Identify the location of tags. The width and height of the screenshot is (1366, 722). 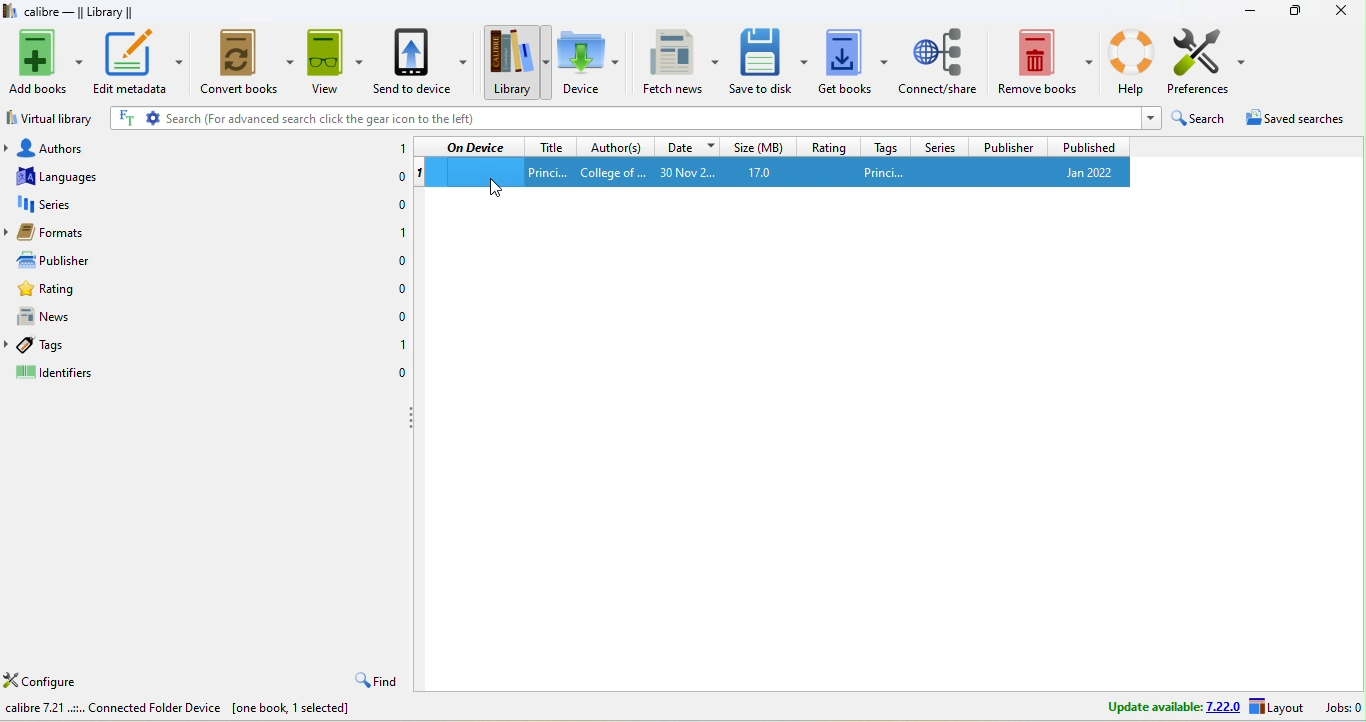
(63, 343).